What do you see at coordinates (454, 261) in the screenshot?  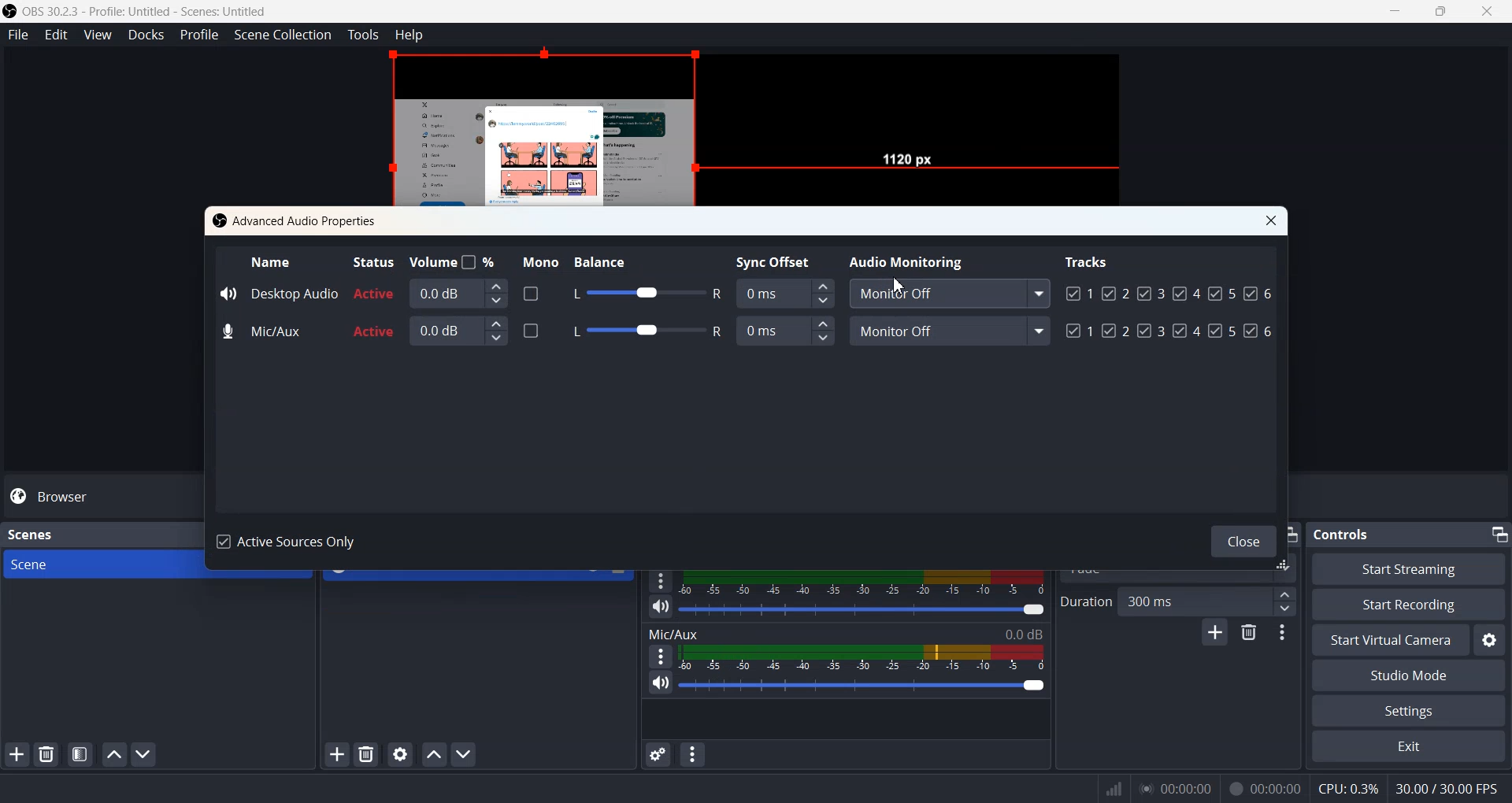 I see `Volume` at bounding box center [454, 261].